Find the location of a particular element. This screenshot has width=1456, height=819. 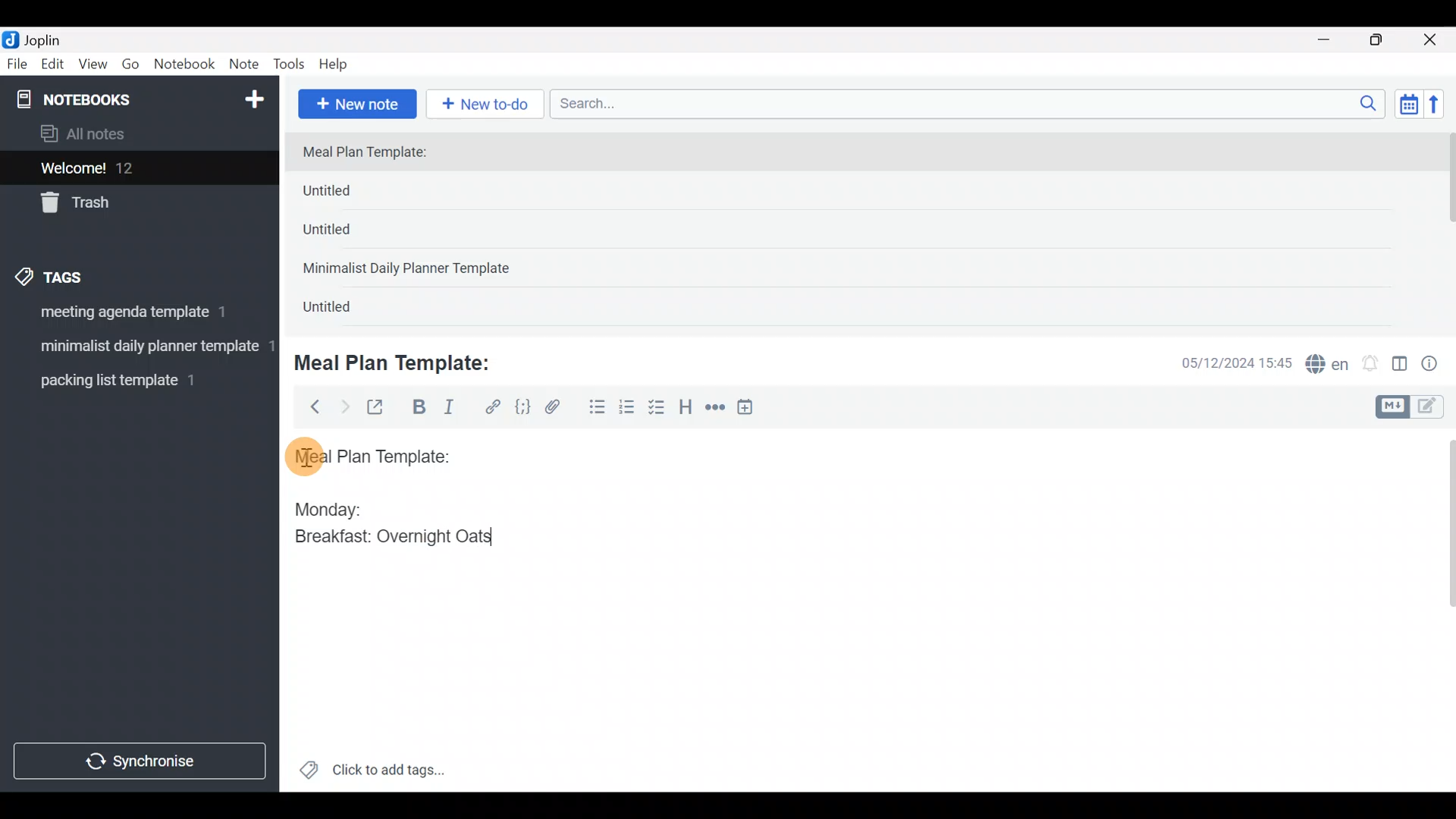

Meal Plan Template: is located at coordinates (402, 361).